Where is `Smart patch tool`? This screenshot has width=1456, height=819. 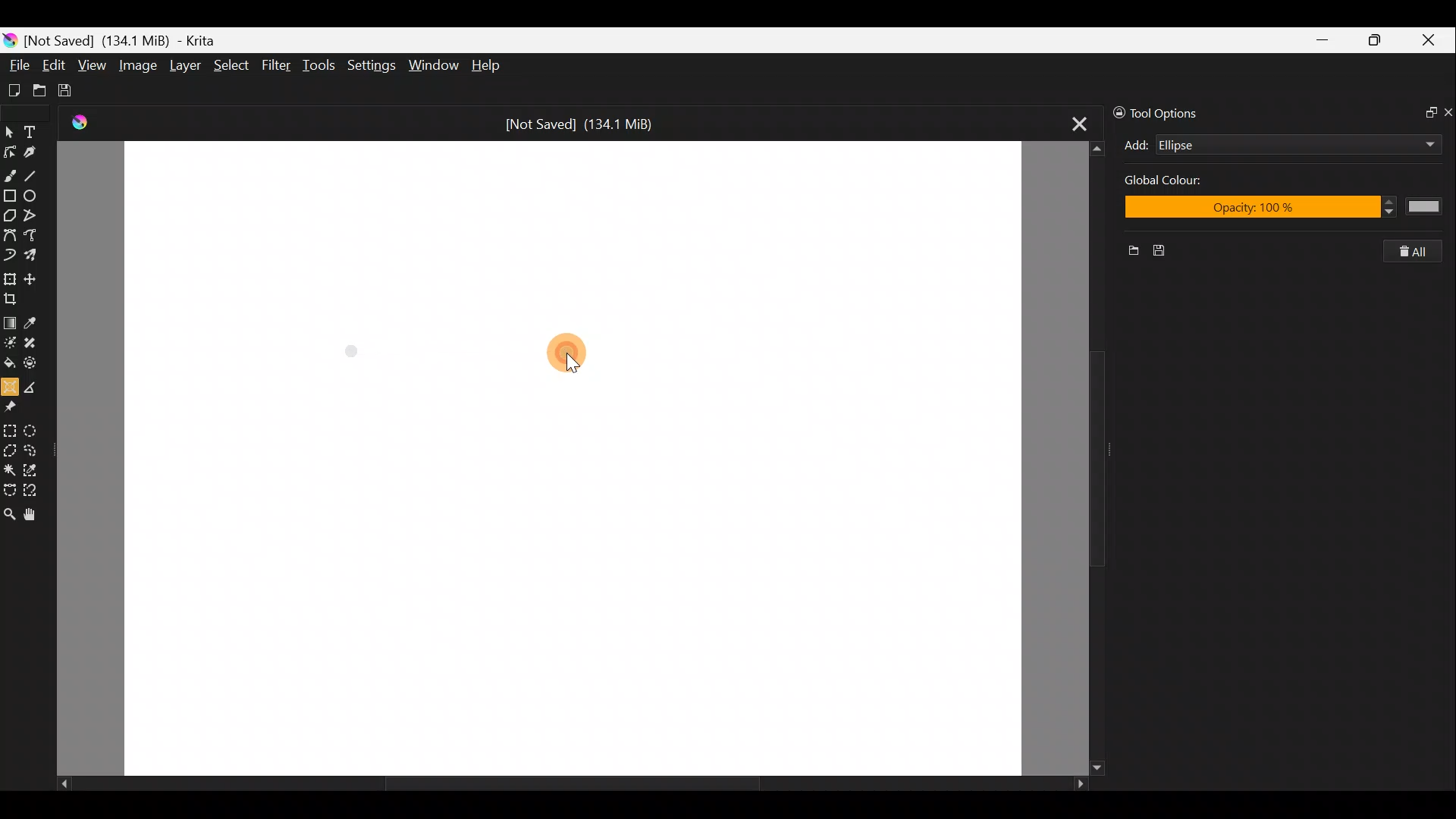
Smart patch tool is located at coordinates (37, 345).